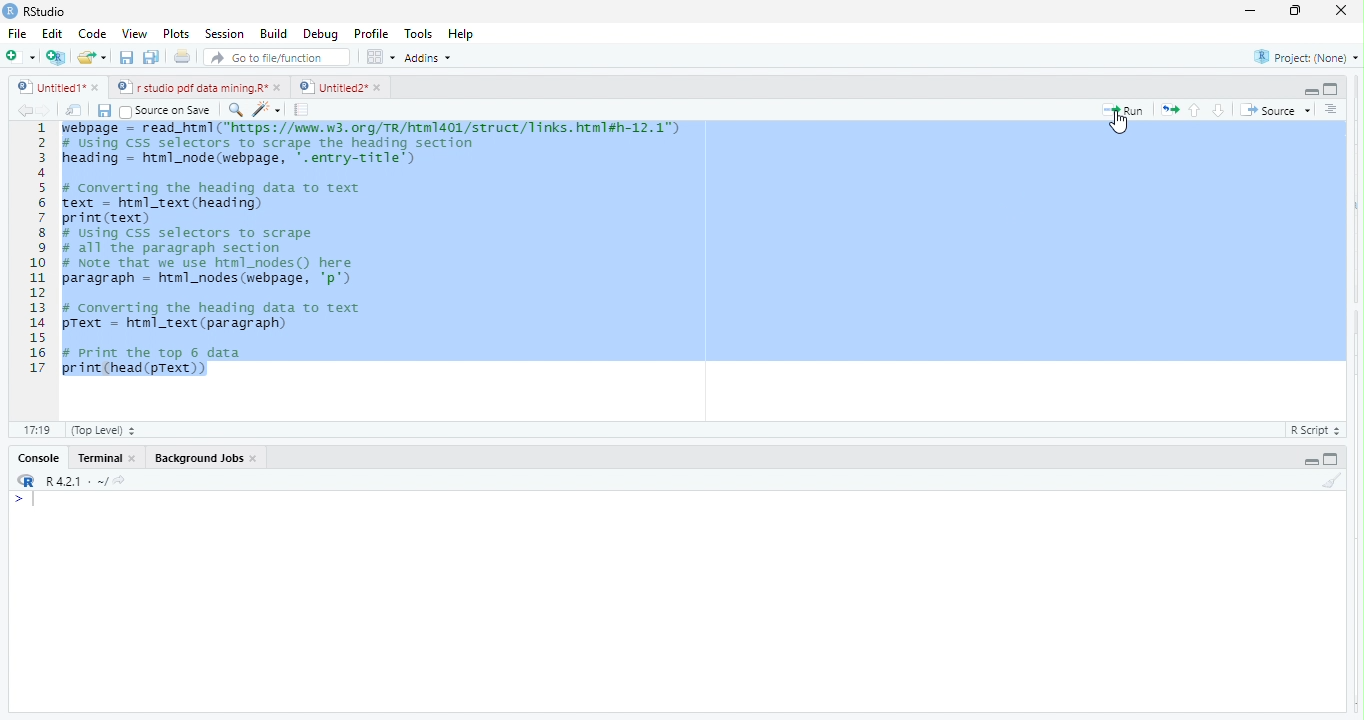 This screenshot has height=720, width=1364. I want to click on minimize, so click(1292, 13).